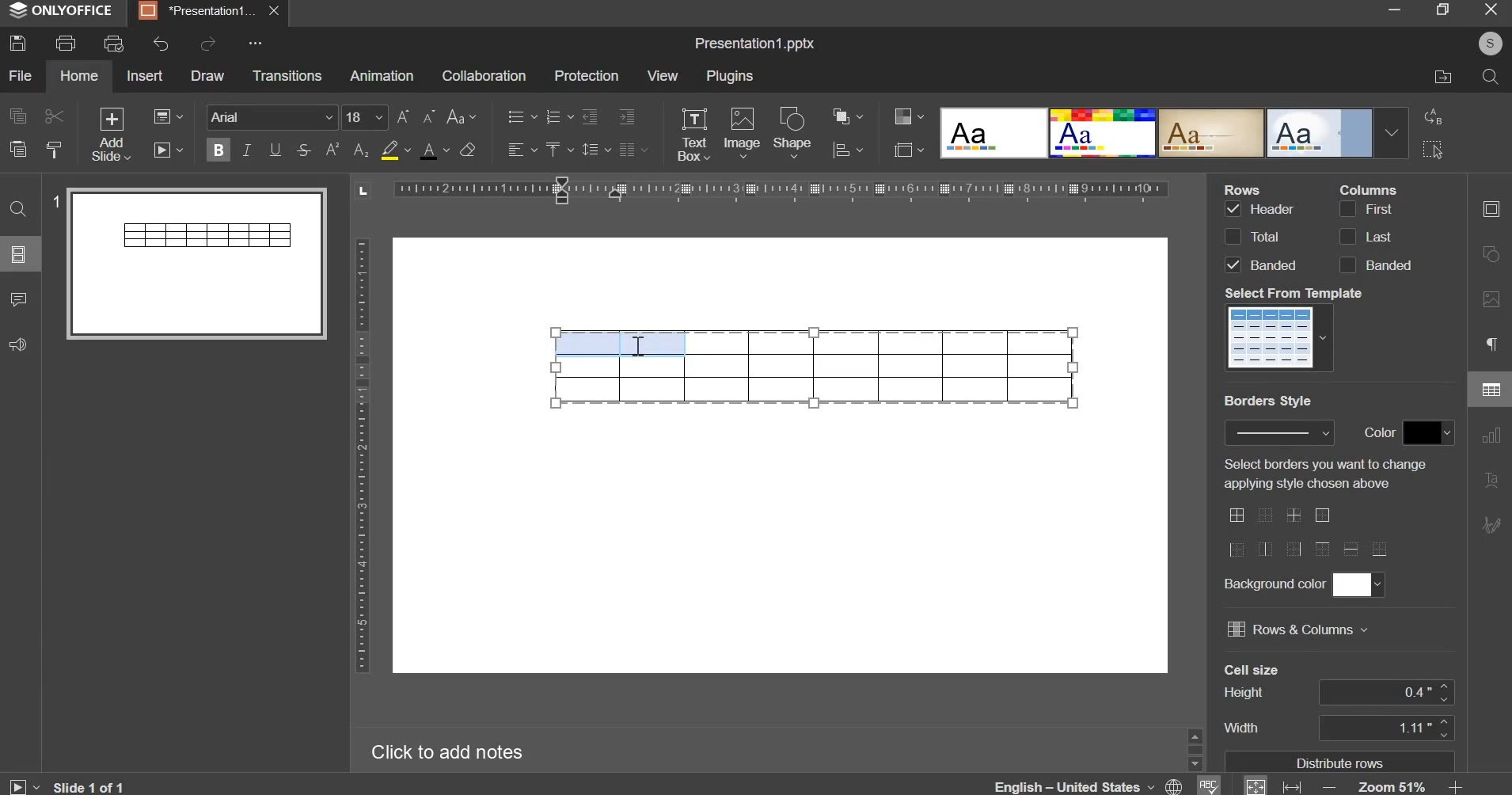 The width and height of the screenshot is (1512, 795). Describe the element at coordinates (207, 11) in the screenshot. I see `Presentation tab` at that location.